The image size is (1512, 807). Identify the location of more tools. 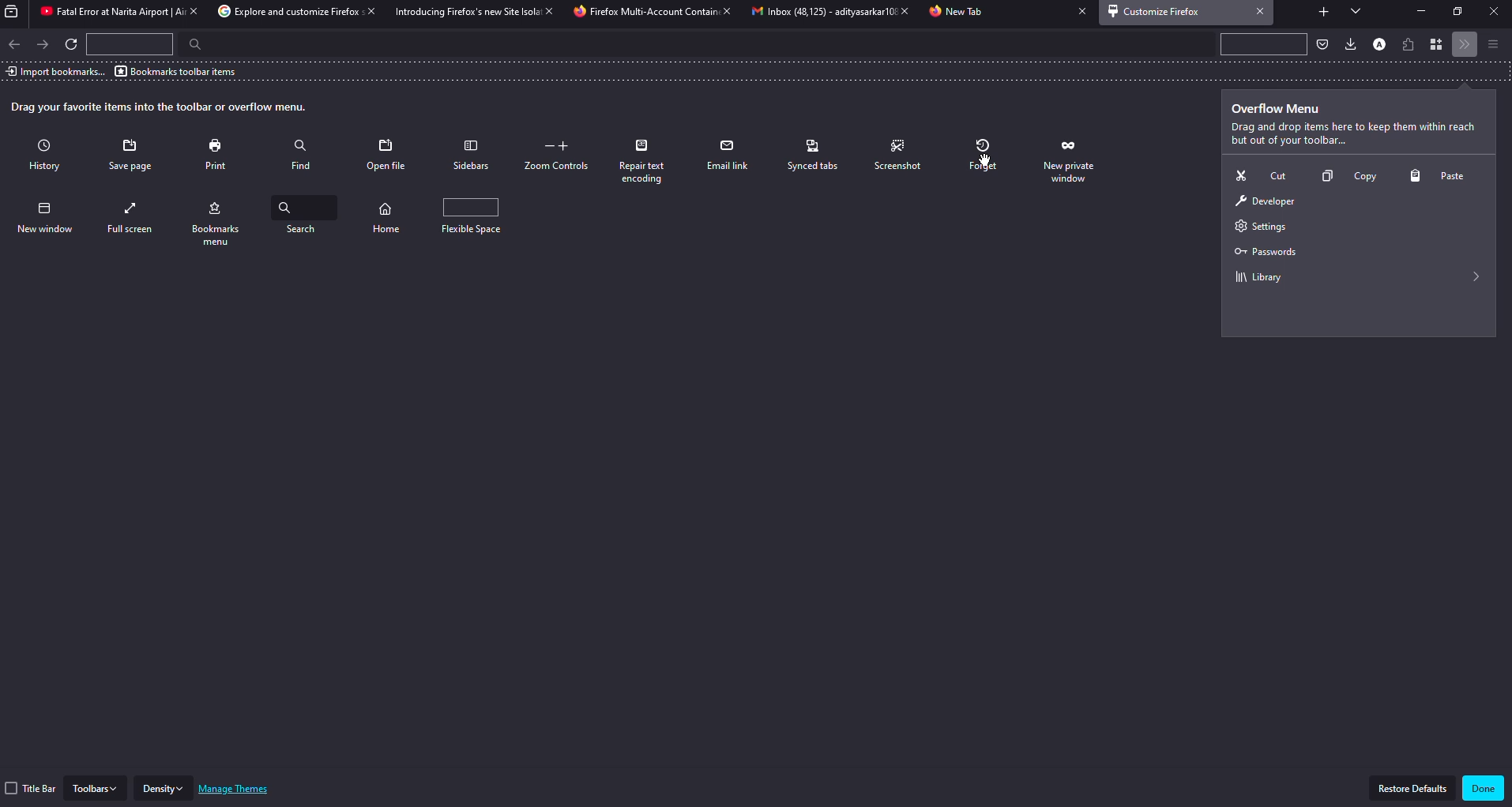
(1466, 45).